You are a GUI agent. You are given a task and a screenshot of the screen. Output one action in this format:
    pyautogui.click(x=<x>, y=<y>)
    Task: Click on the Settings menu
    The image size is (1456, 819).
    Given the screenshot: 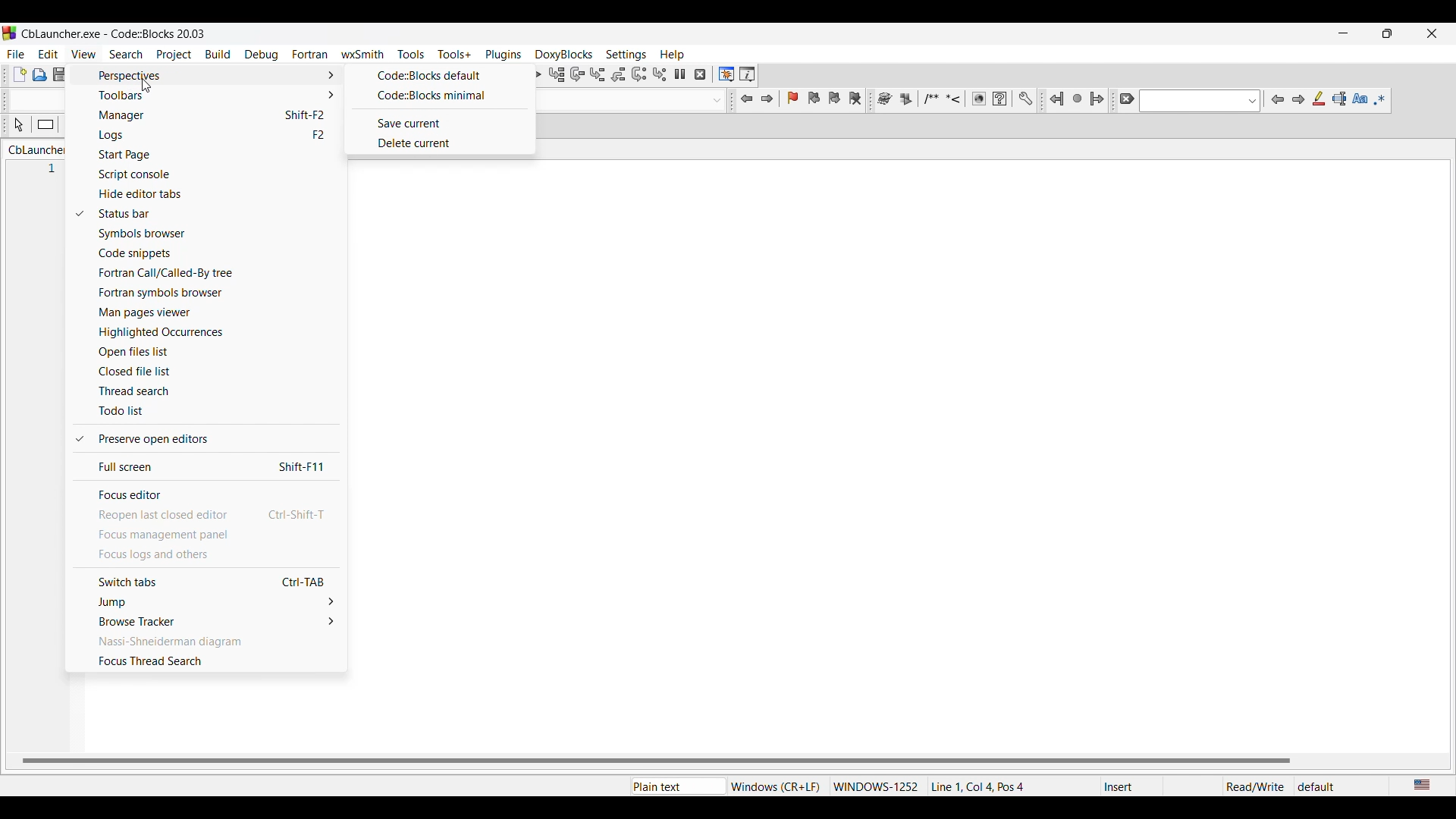 What is the action you would take?
    pyautogui.click(x=626, y=55)
    